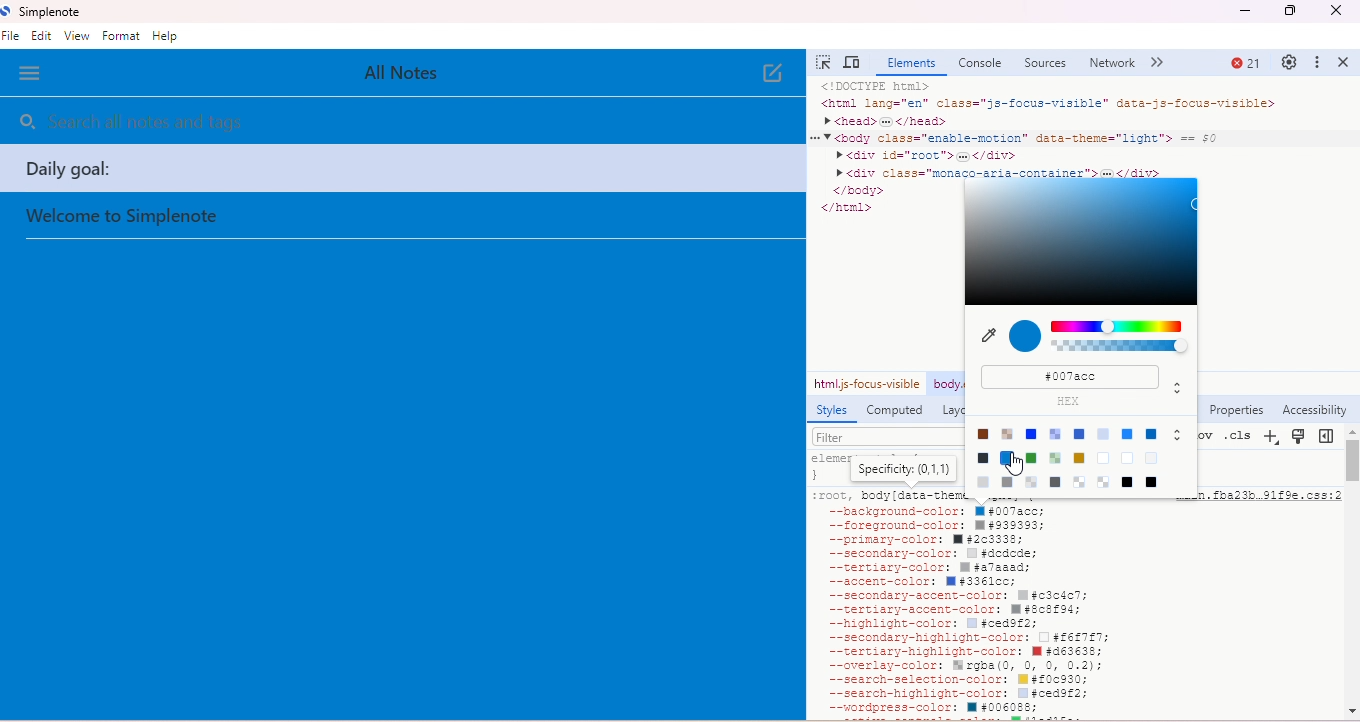 The height and width of the screenshot is (722, 1360). I want to click on view, so click(76, 36).